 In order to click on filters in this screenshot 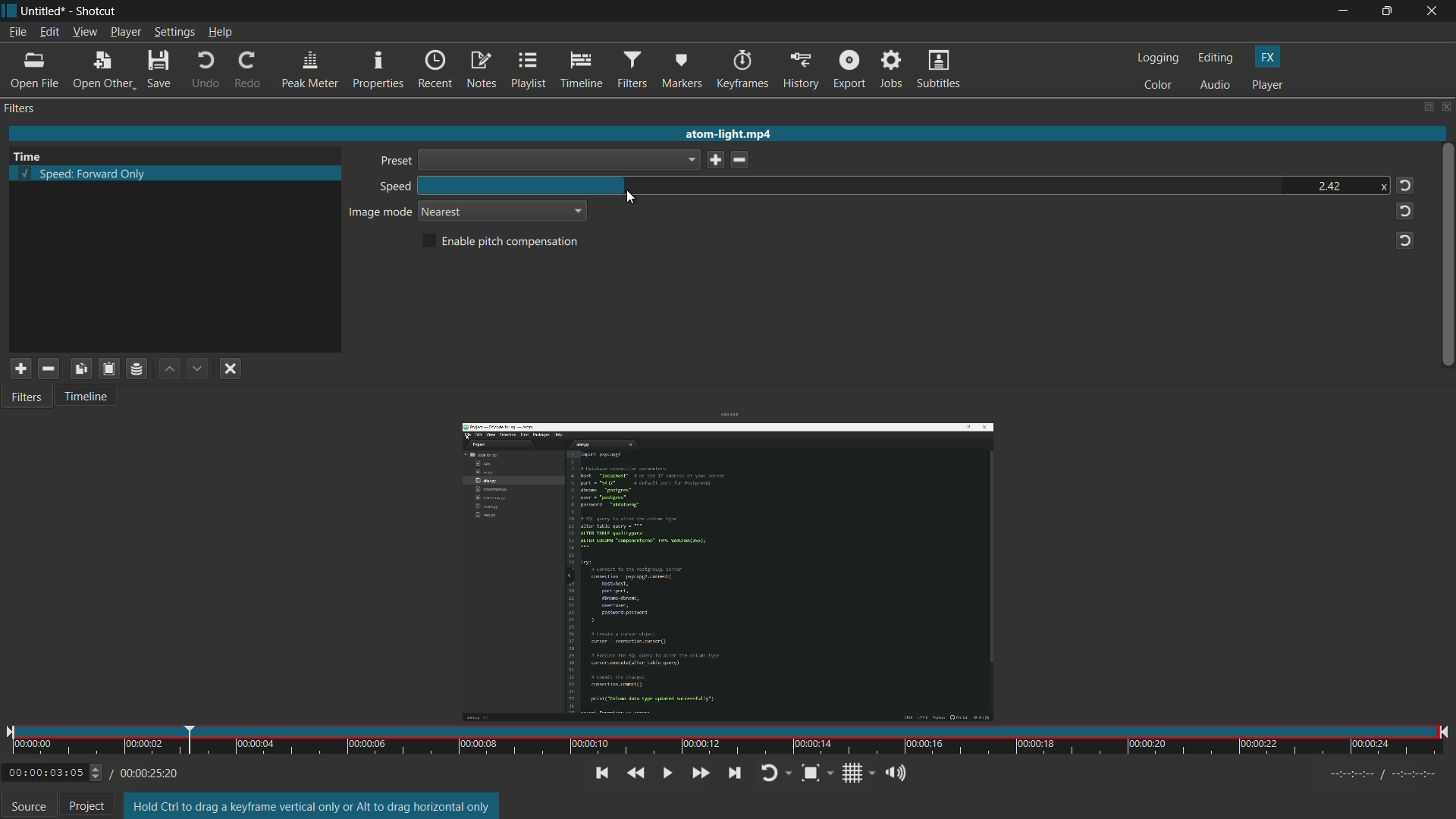, I will do `click(21, 108)`.